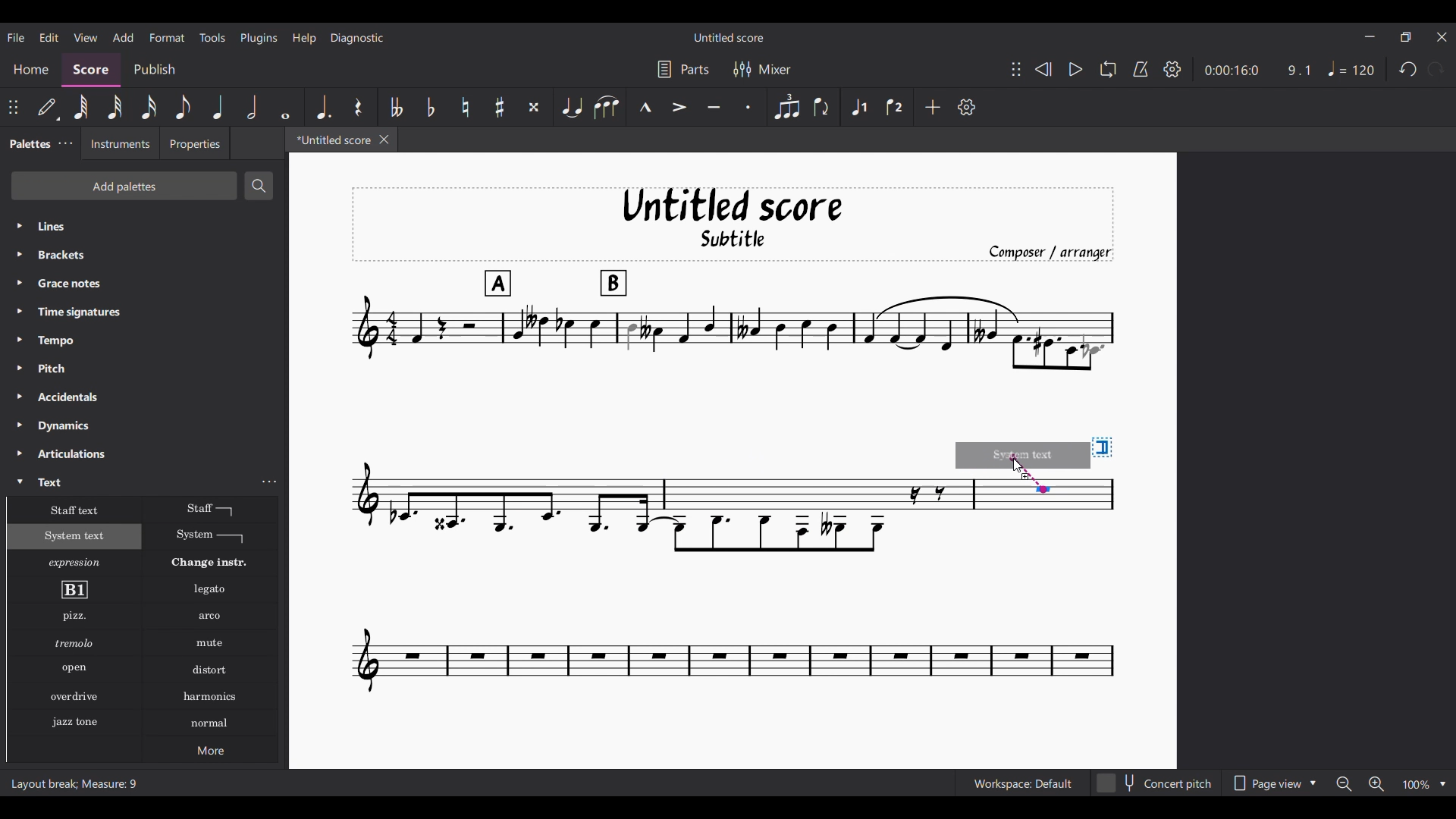  Describe the element at coordinates (394, 107) in the screenshot. I see `Toggle double flat` at that location.